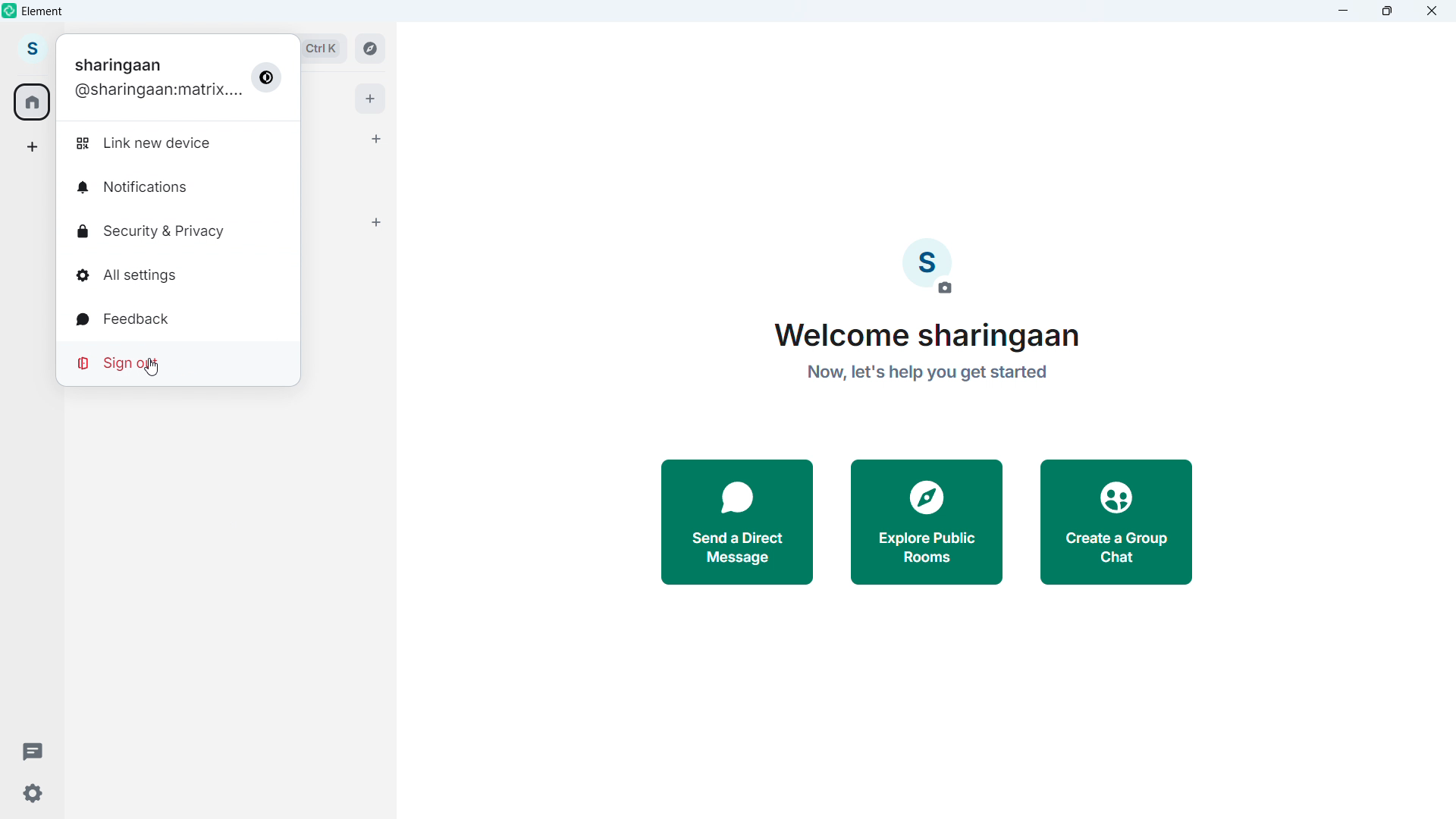 The height and width of the screenshot is (819, 1456). Describe the element at coordinates (1388, 11) in the screenshot. I see `maximize` at that location.